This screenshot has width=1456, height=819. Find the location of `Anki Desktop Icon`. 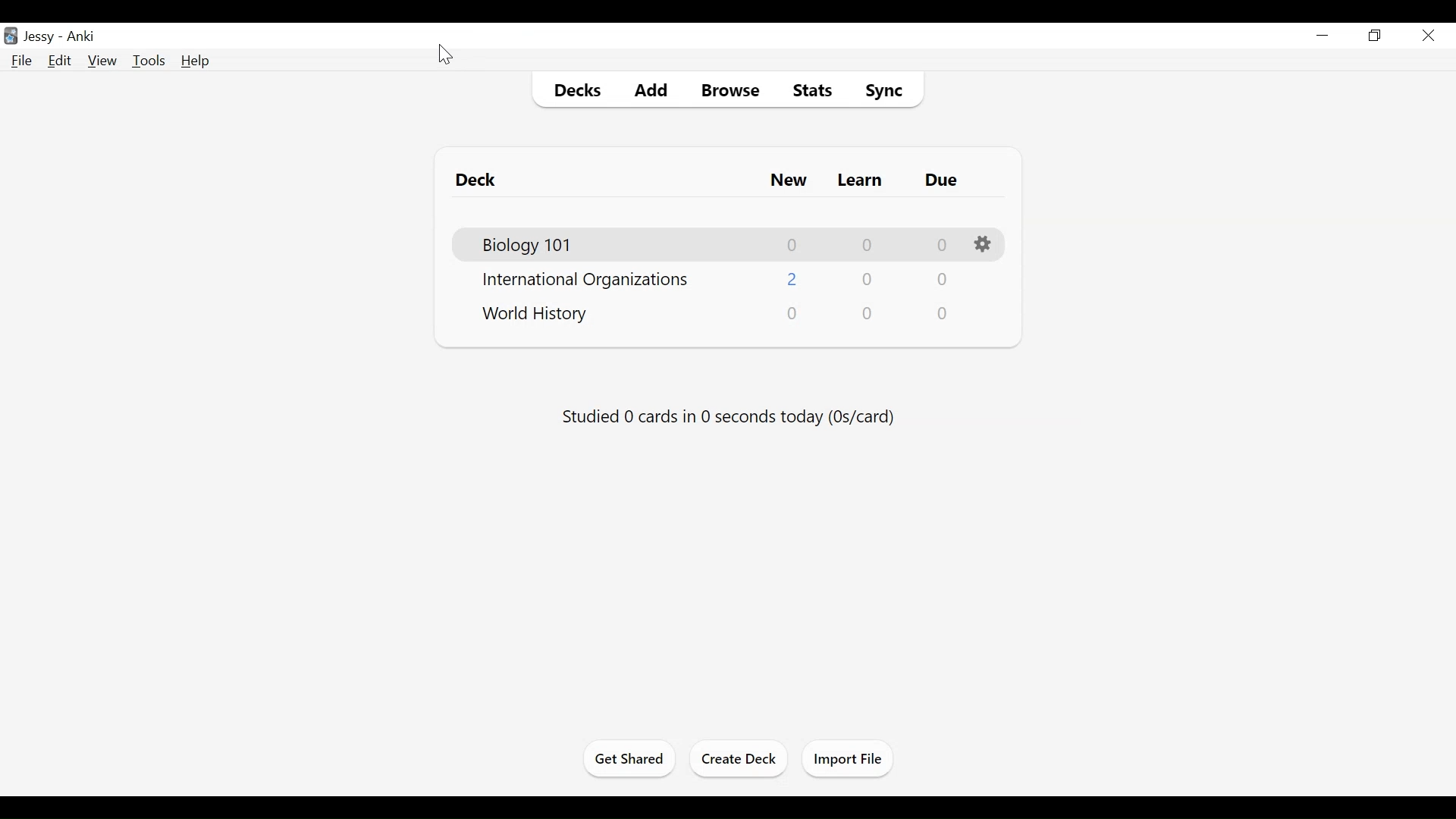

Anki Desktop Icon is located at coordinates (11, 36).